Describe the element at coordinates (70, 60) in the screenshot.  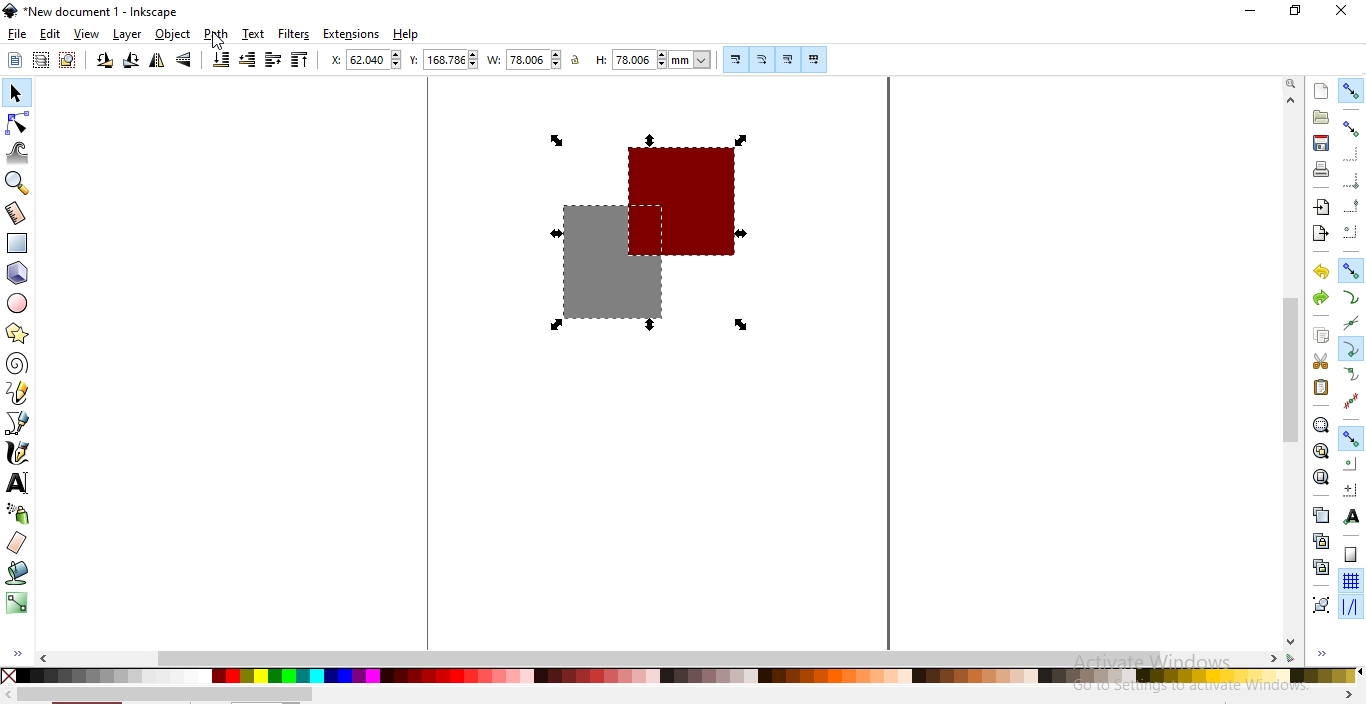
I see `deselect selected objects or nodes` at that location.